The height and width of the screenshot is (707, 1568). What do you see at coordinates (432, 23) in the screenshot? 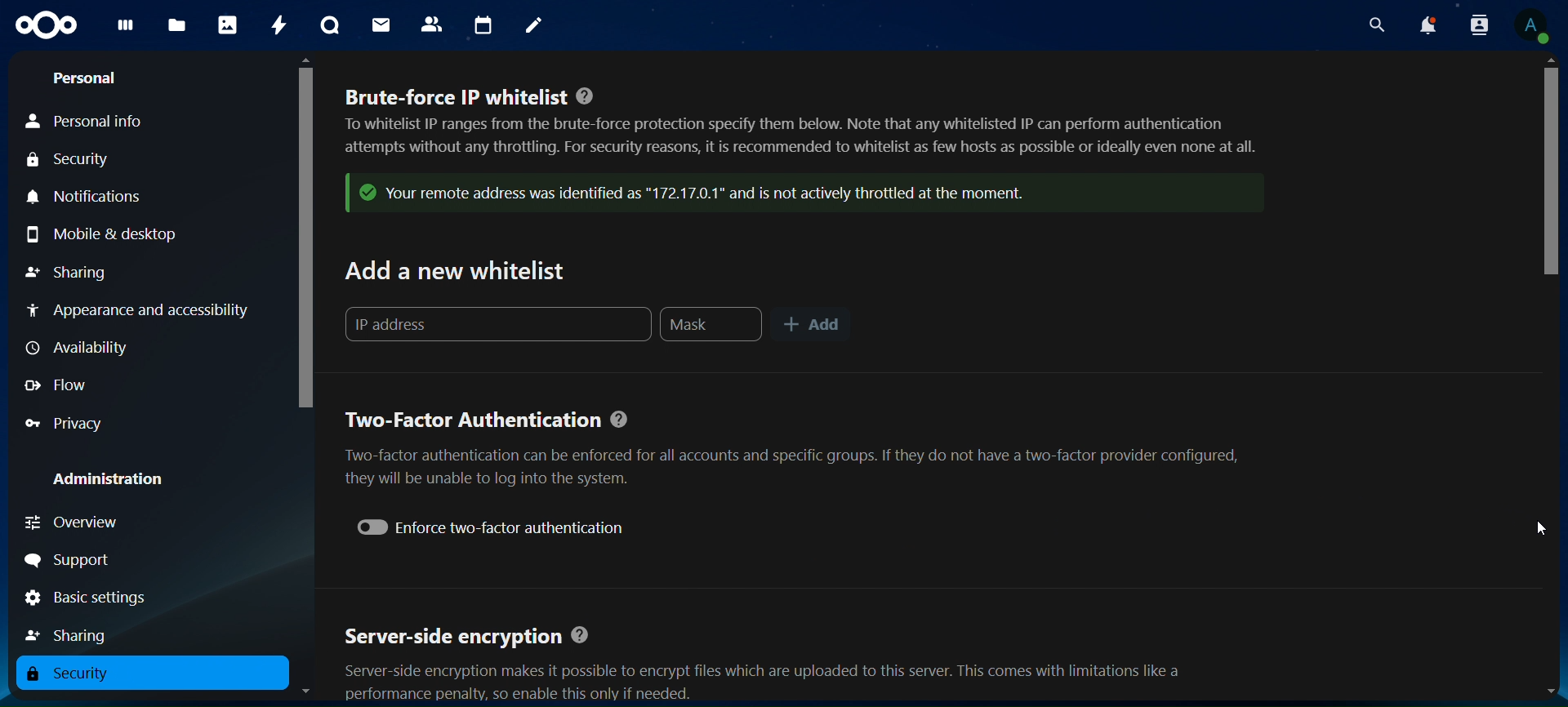
I see `contact` at bounding box center [432, 23].